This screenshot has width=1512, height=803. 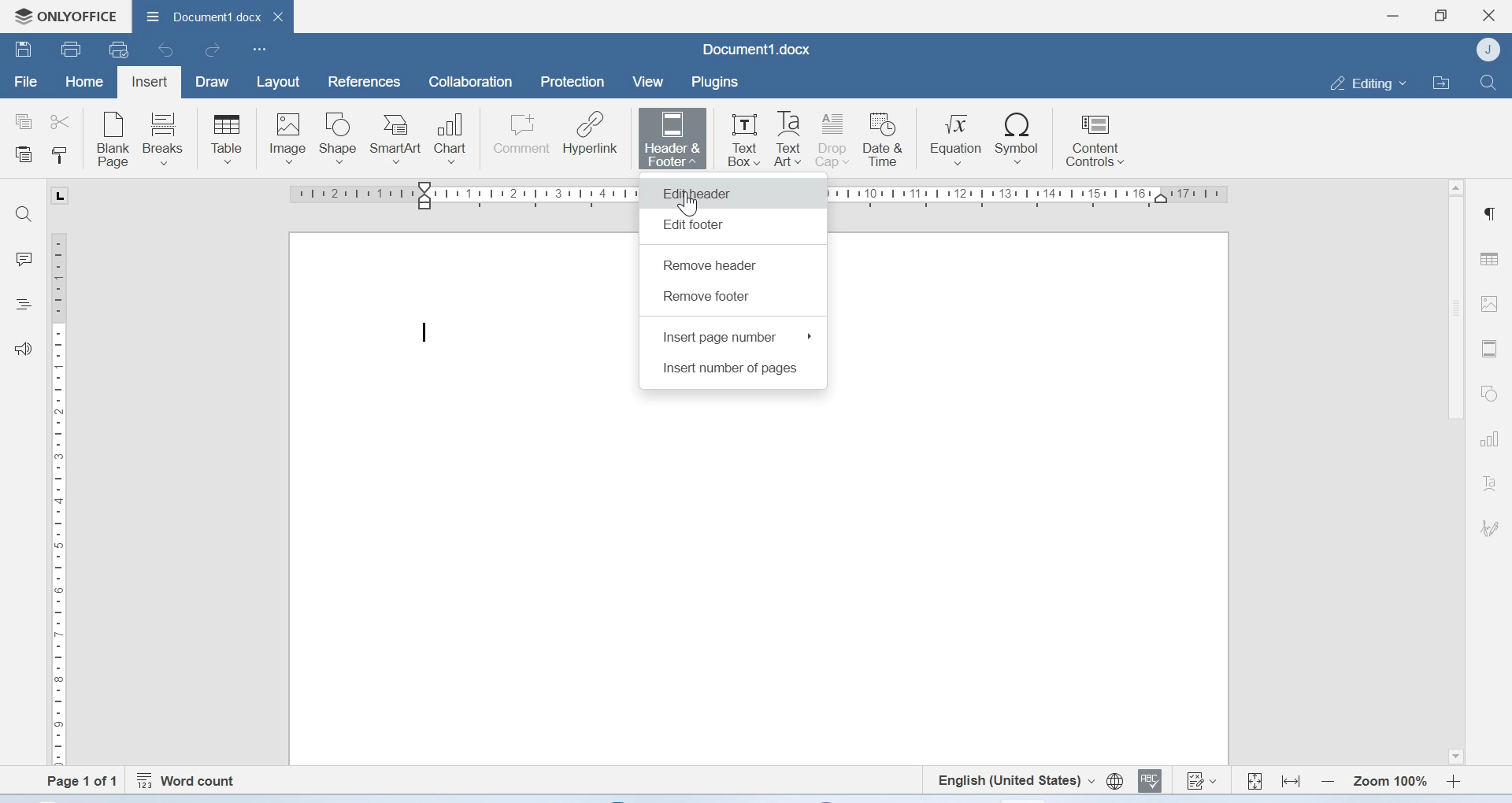 I want to click on Header & Footer, so click(x=674, y=137).